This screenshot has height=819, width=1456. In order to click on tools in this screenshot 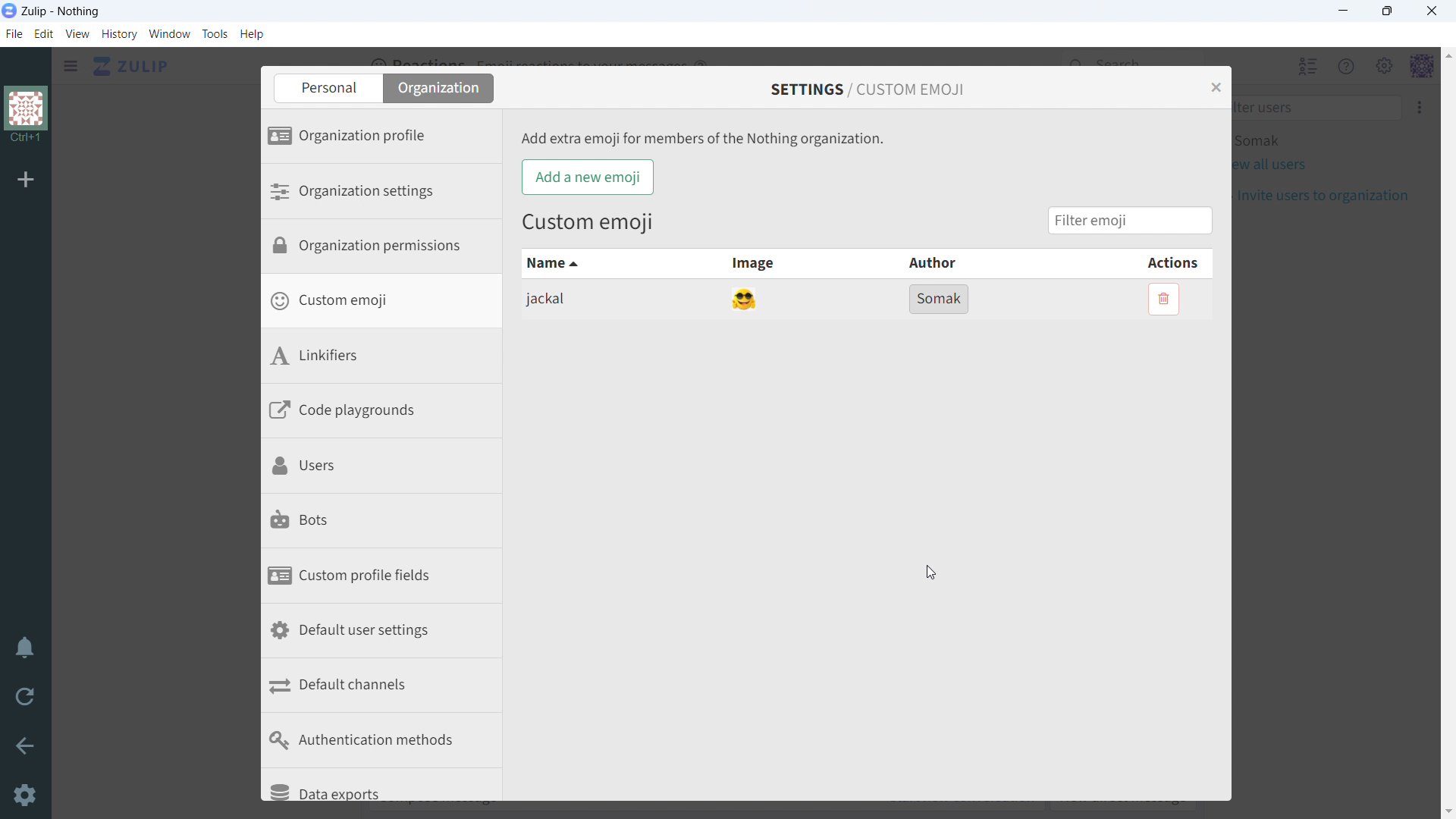, I will do `click(215, 33)`.